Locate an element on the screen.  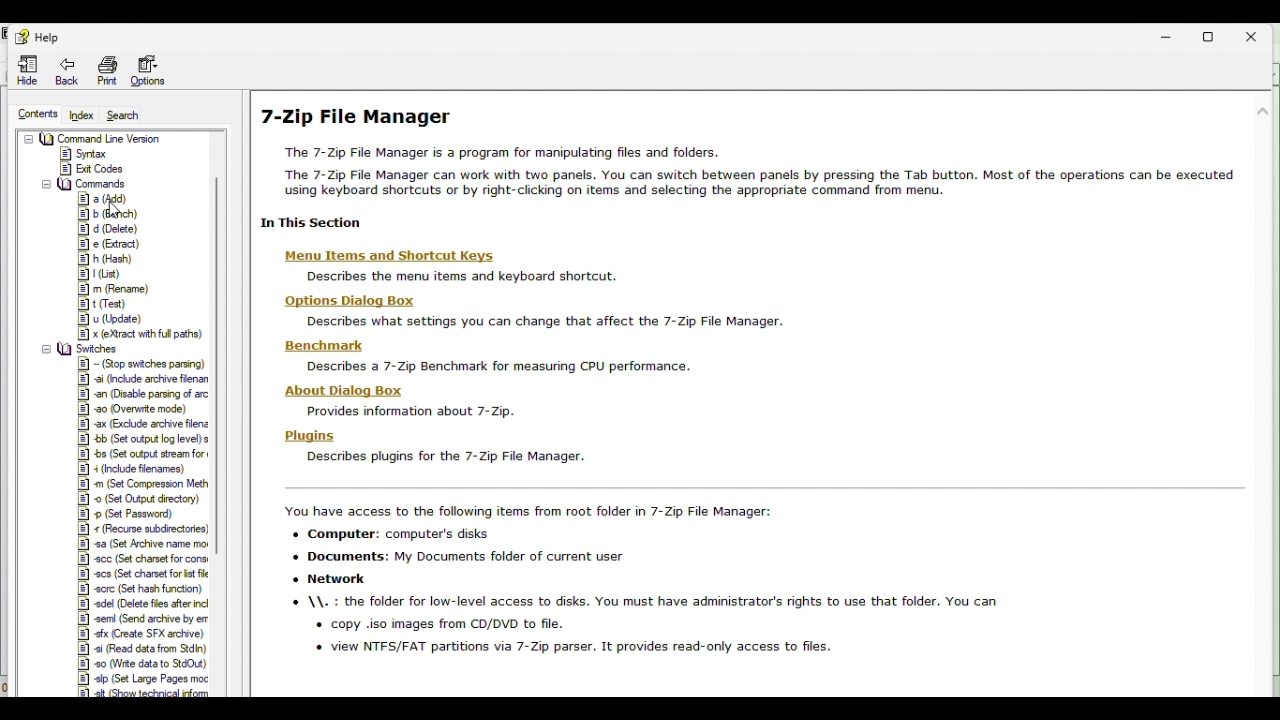
Provides information about 7- Zip. is located at coordinates (406, 411).